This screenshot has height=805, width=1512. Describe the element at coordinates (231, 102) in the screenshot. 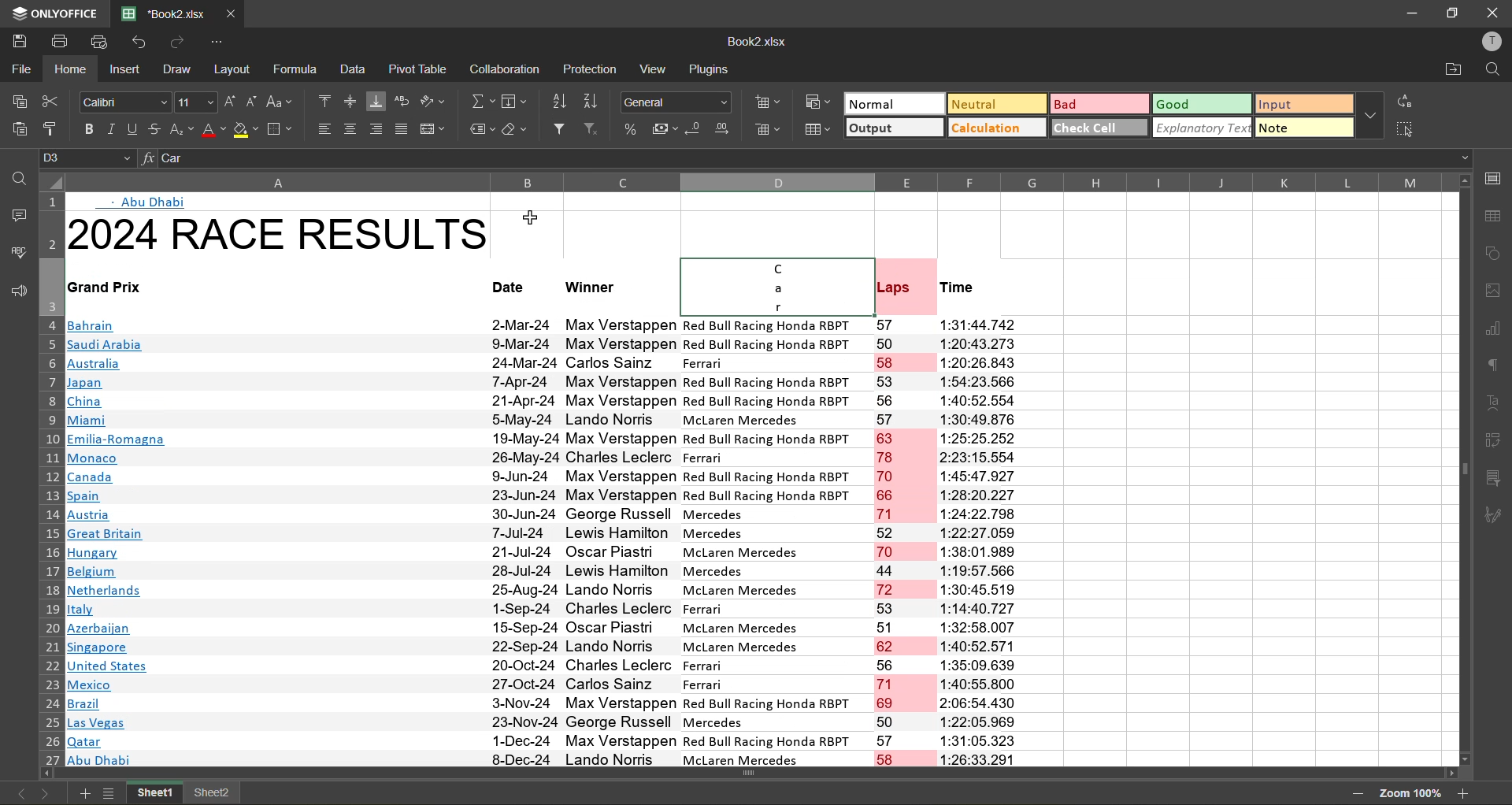

I see `increment size` at that location.